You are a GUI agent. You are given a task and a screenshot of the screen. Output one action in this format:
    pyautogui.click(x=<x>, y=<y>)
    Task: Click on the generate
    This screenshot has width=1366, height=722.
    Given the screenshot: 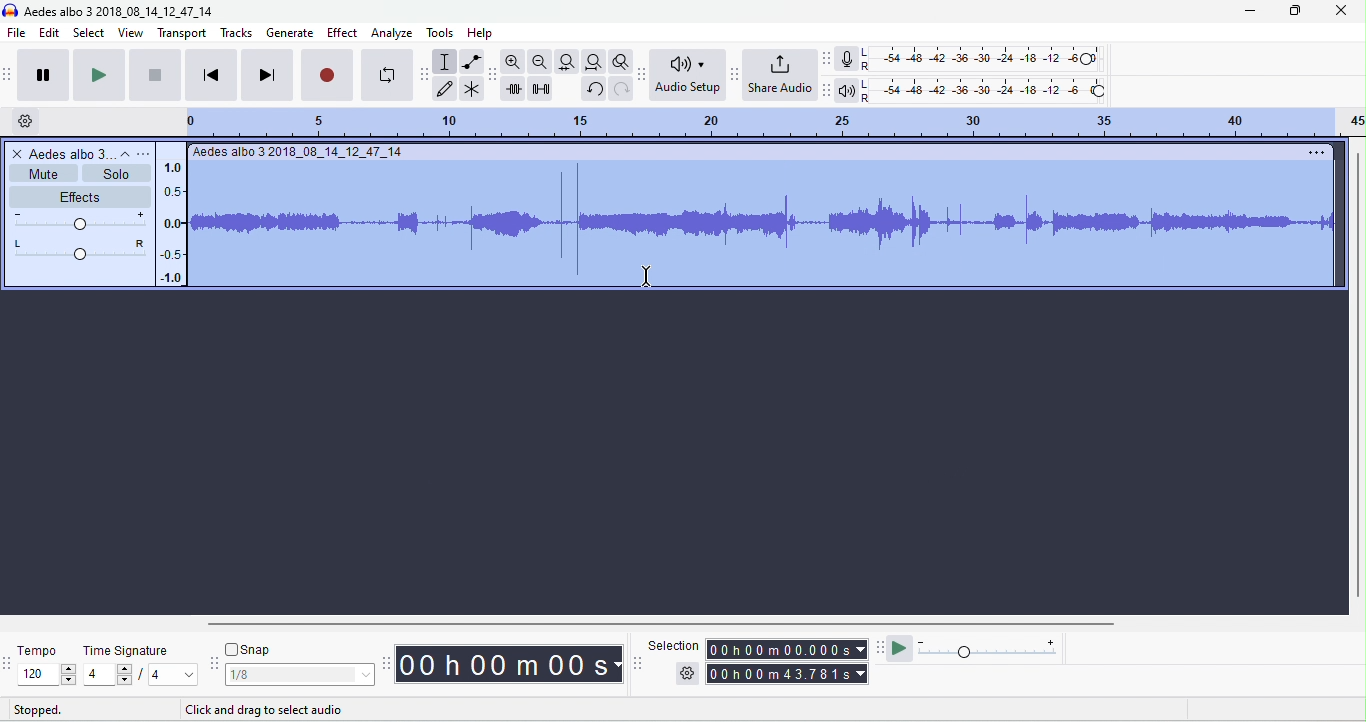 What is the action you would take?
    pyautogui.click(x=289, y=33)
    